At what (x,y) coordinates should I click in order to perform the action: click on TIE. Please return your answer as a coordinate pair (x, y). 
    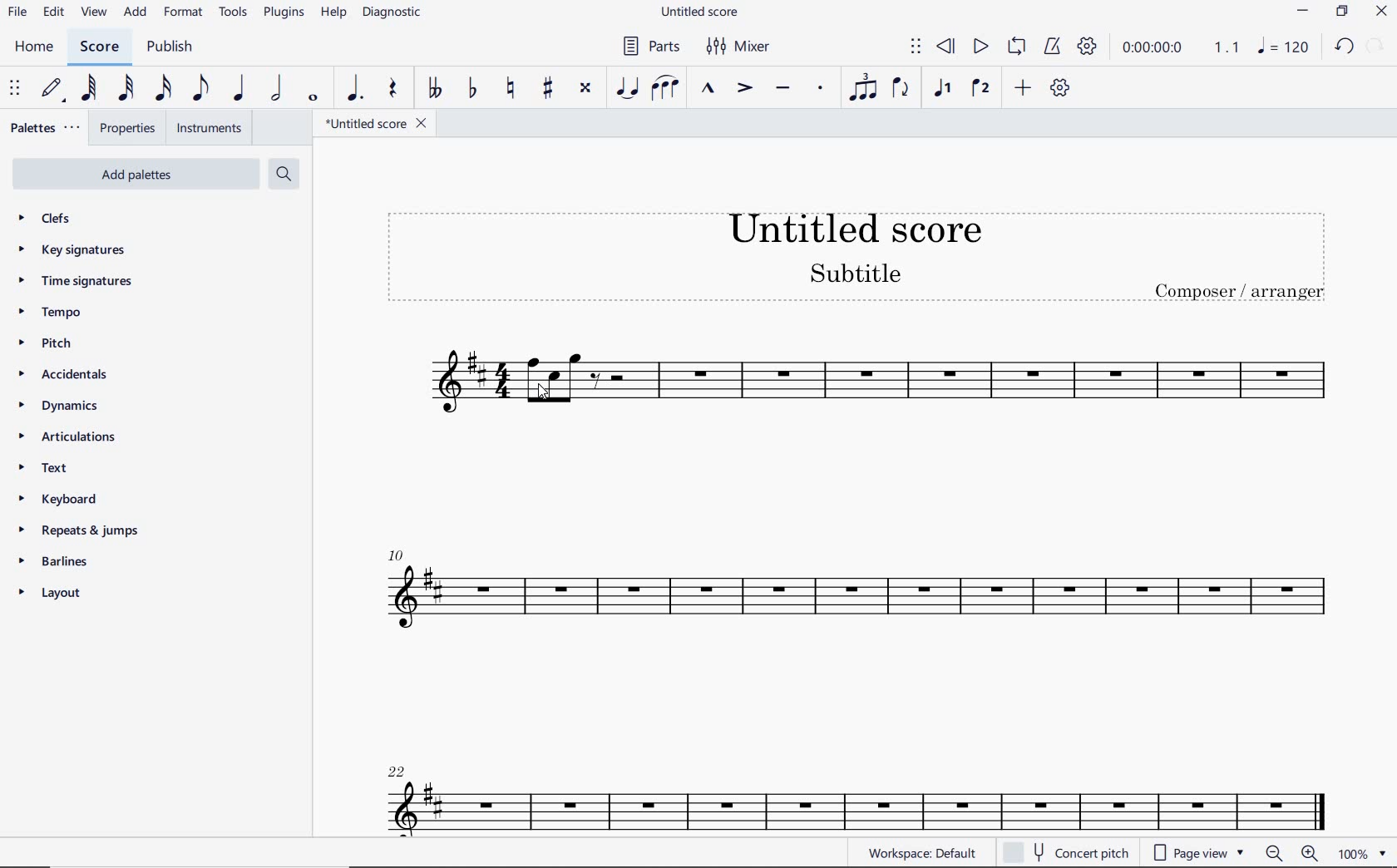
    Looking at the image, I should click on (627, 88).